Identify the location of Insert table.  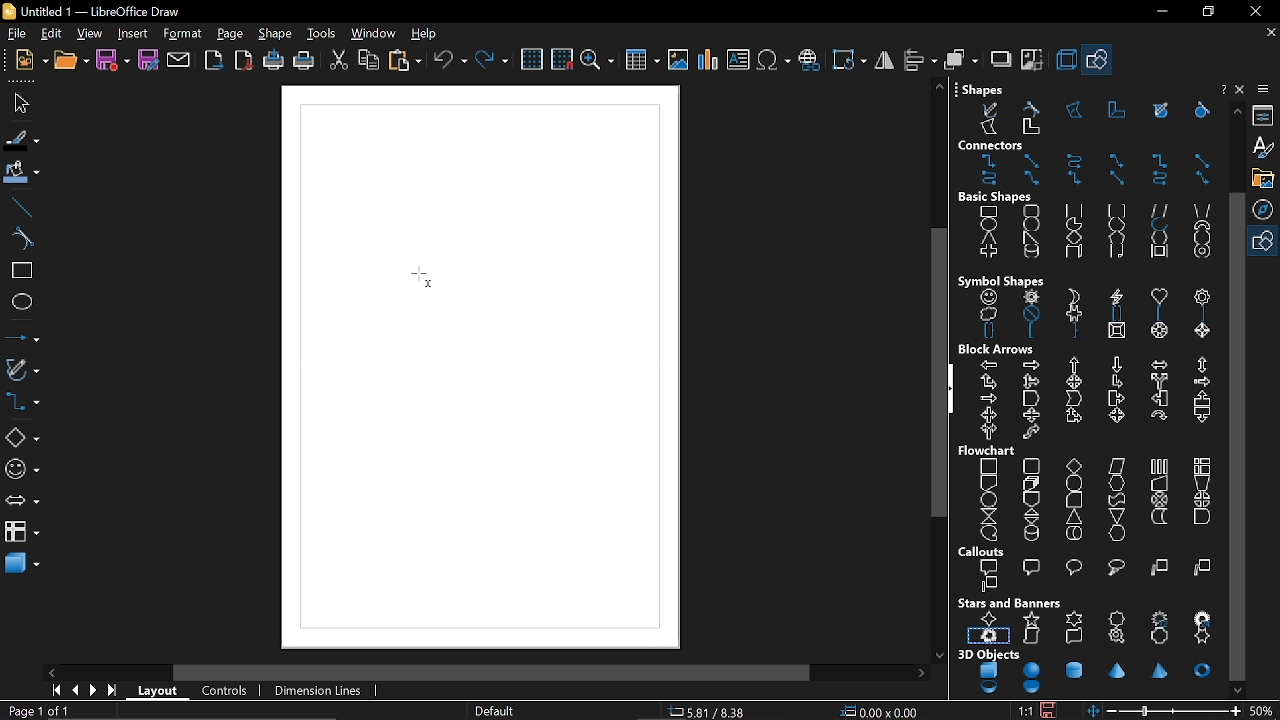
(641, 62).